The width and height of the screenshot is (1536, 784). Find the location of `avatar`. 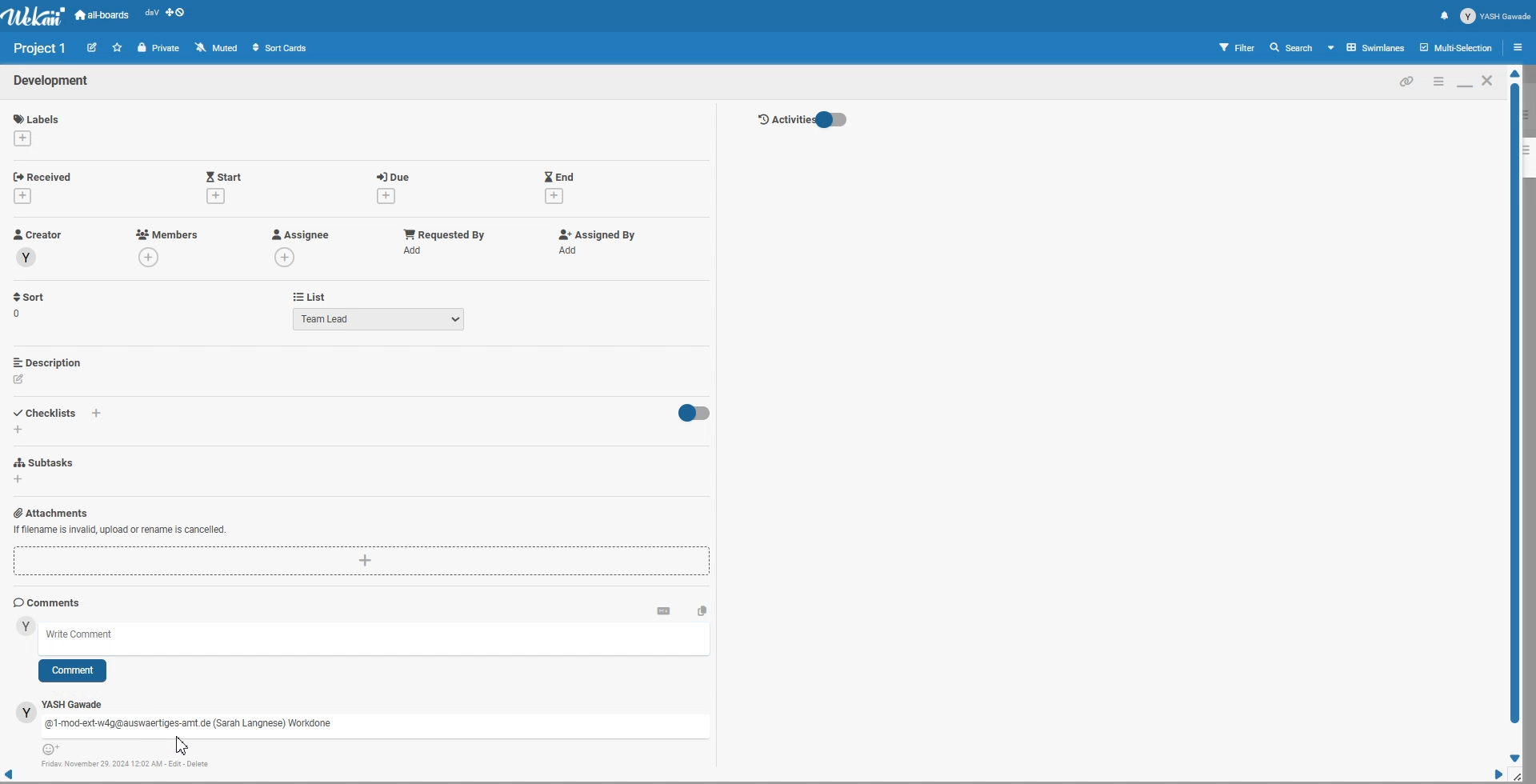

avatar is located at coordinates (26, 626).